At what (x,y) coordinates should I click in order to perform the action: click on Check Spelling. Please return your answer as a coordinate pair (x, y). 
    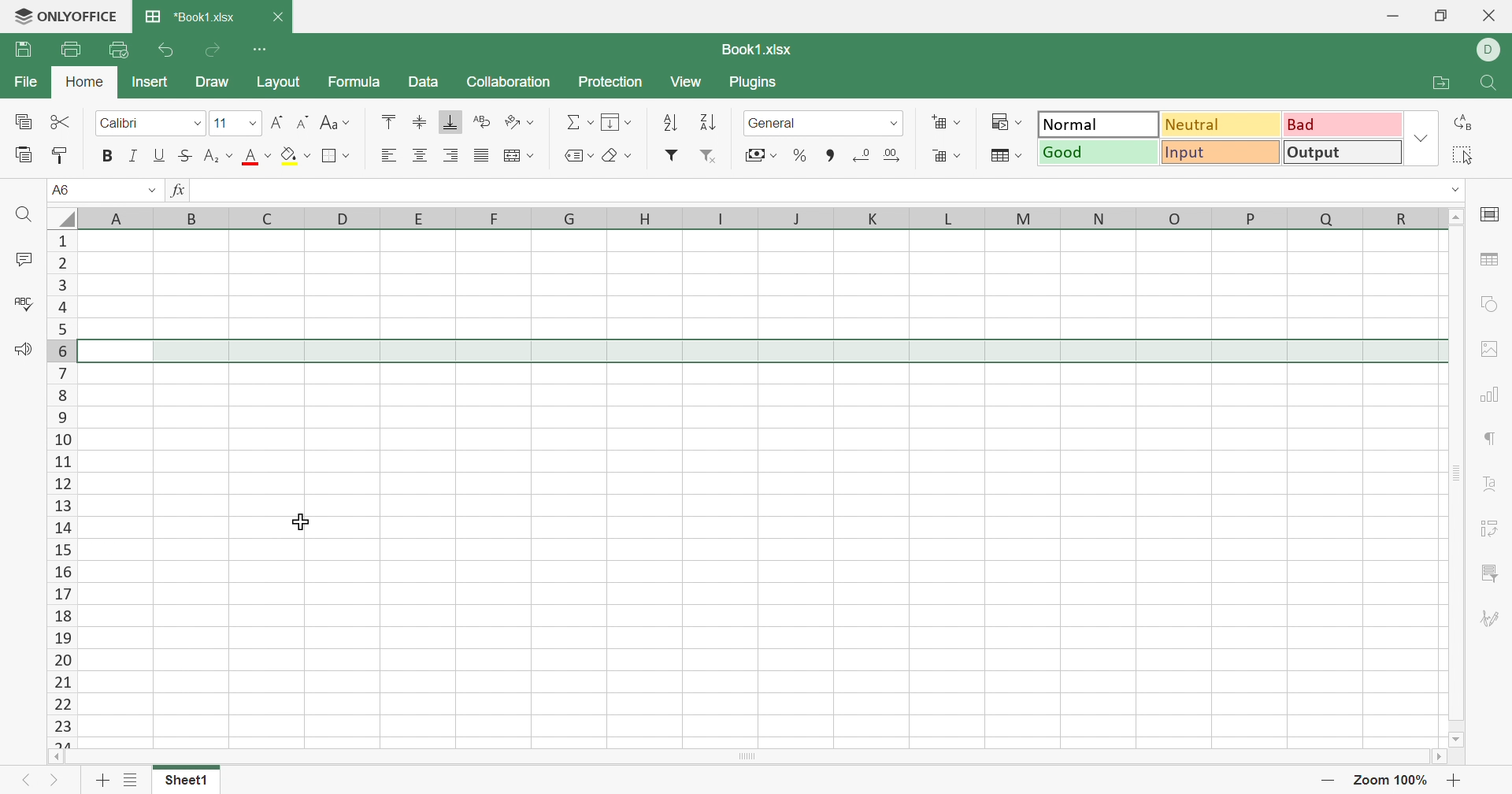
    Looking at the image, I should click on (27, 304).